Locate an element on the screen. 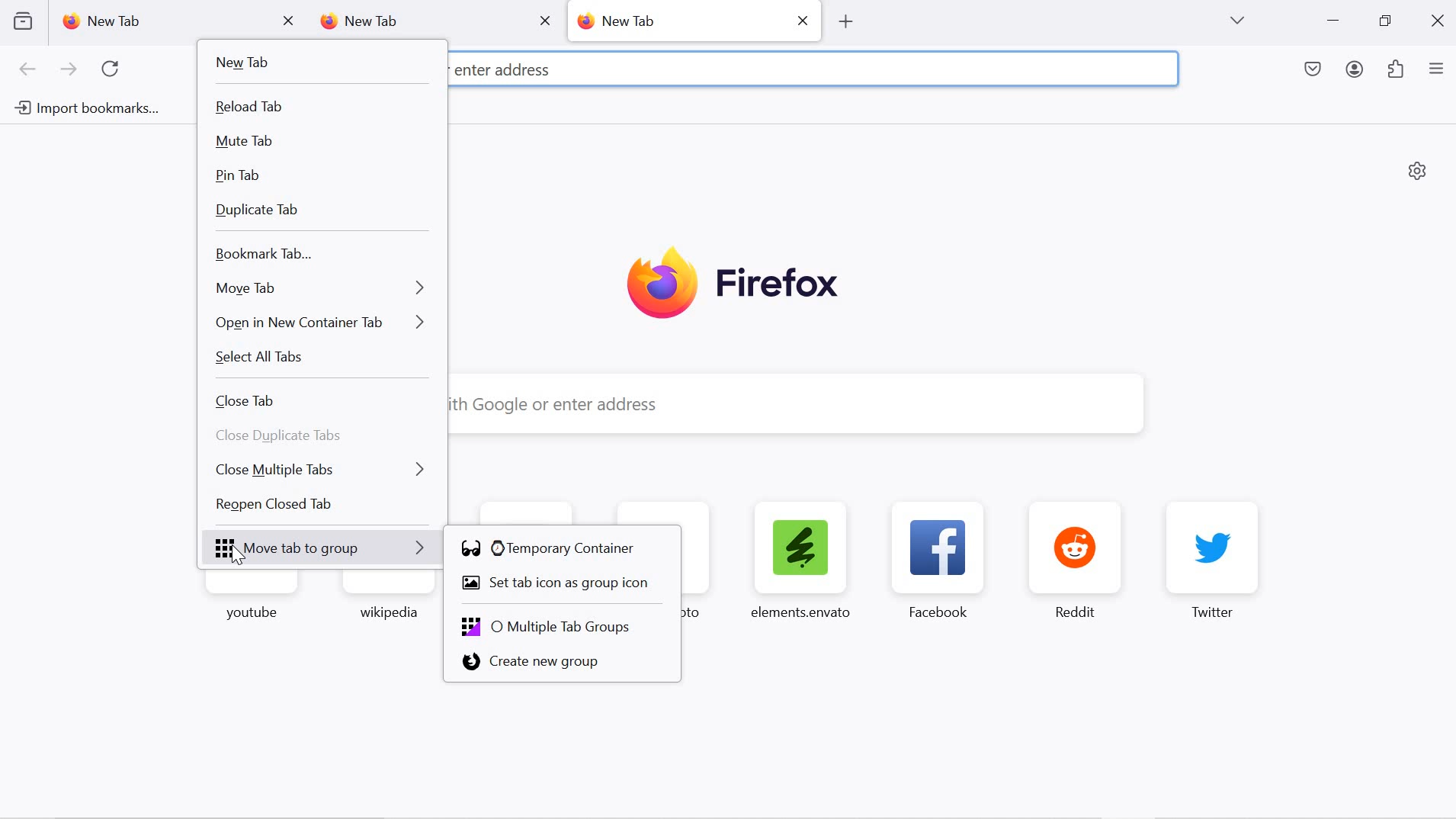 The image size is (1456, 819). reddit favorite is located at coordinates (1082, 560).